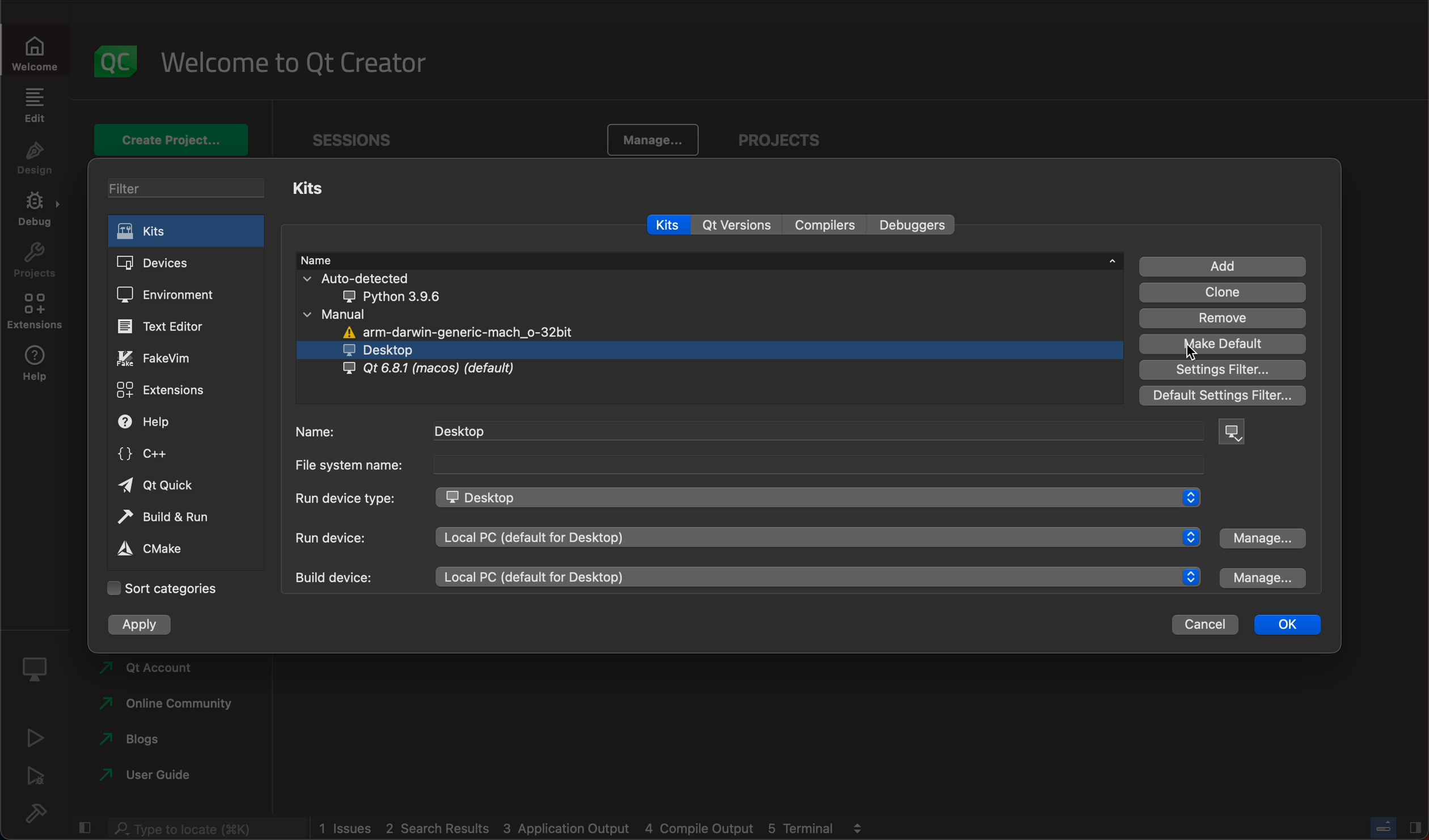 The width and height of the screenshot is (1429, 840). Describe the element at coordinates (41, 52) in the screenshot. I see `Welcome` at that location.